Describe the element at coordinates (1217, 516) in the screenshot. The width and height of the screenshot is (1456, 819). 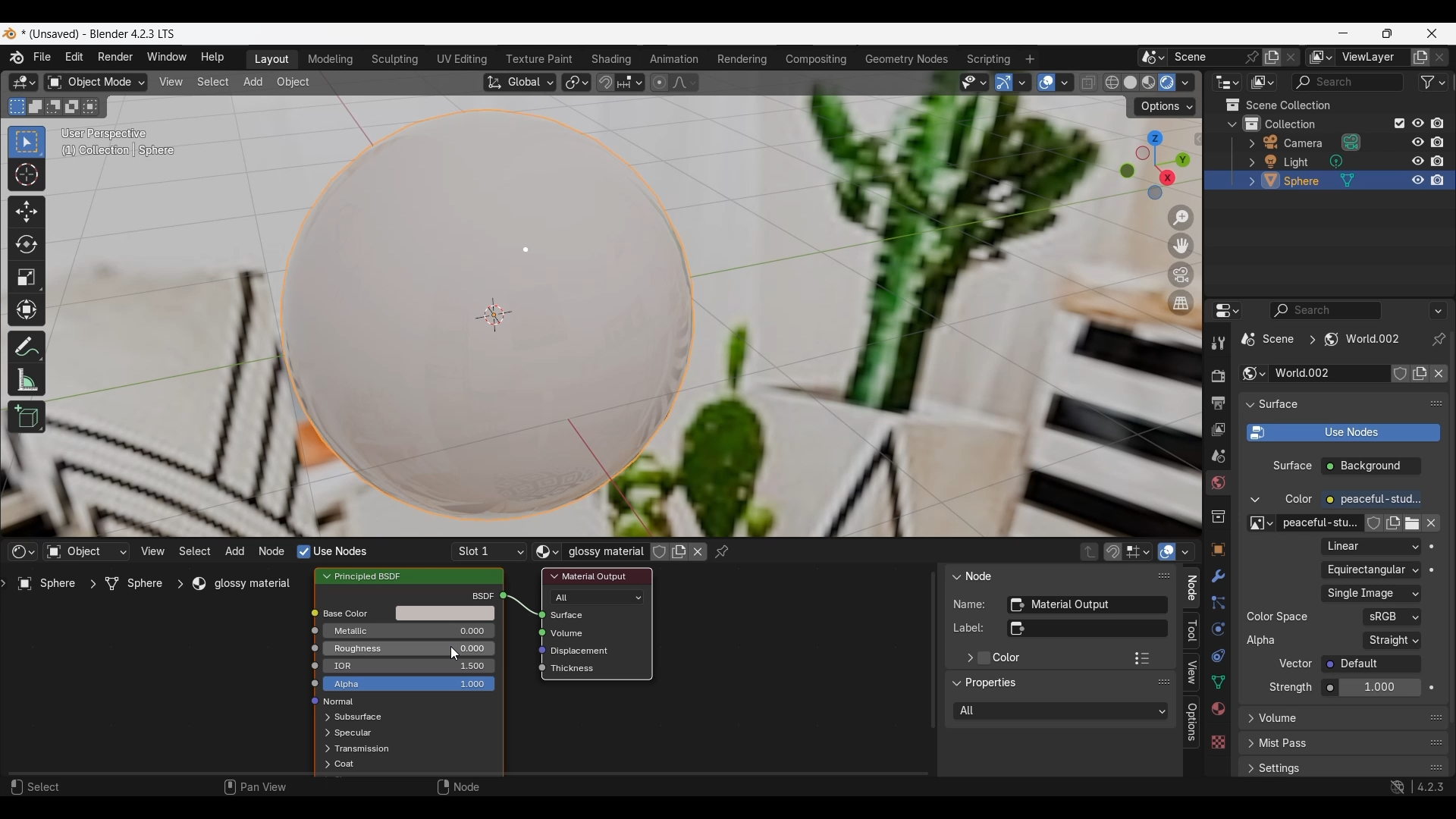
I see `Collection properties` at that location.